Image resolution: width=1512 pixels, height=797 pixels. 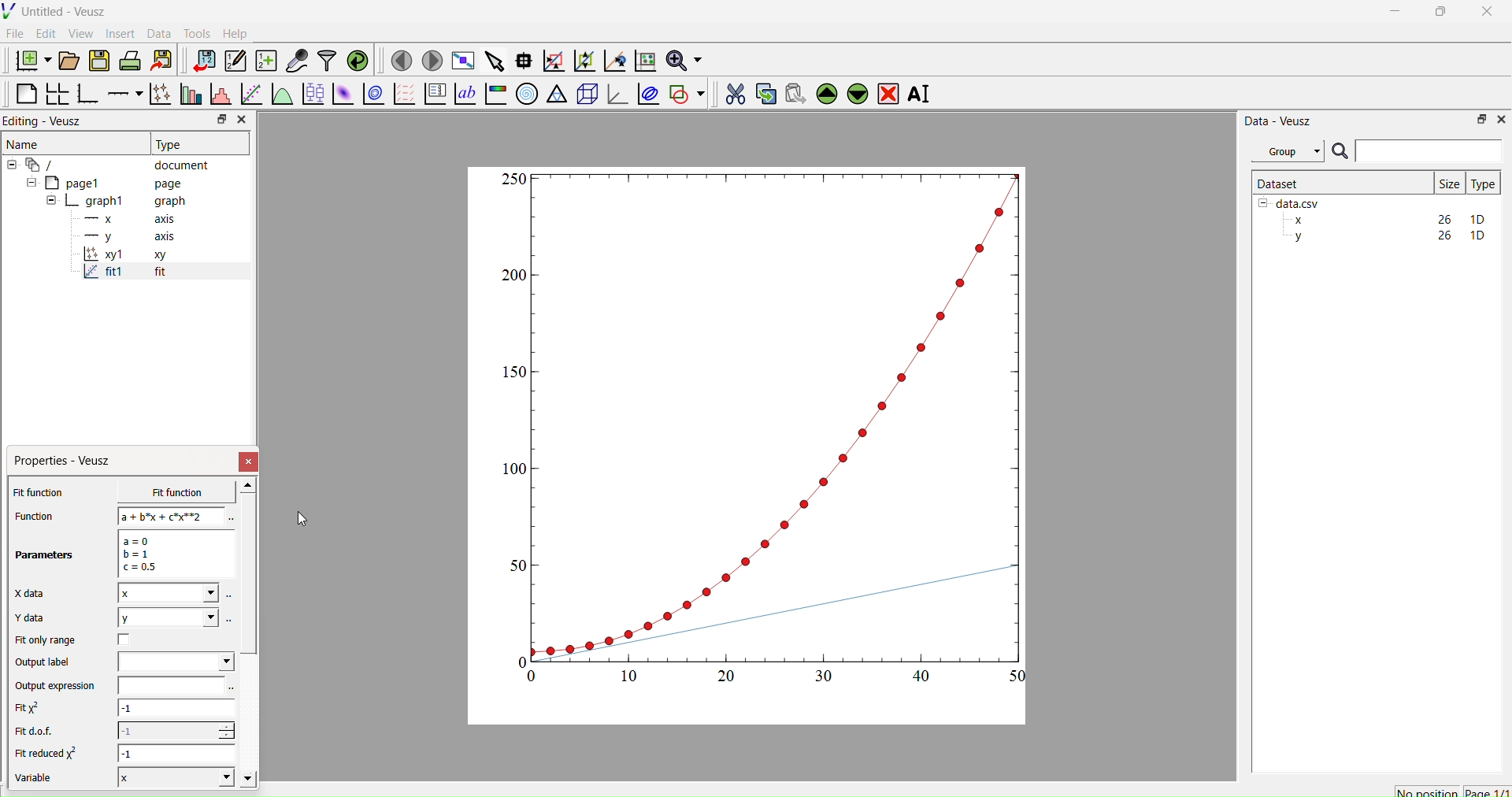 I want to click on Remove, so click(x=888, y=92).